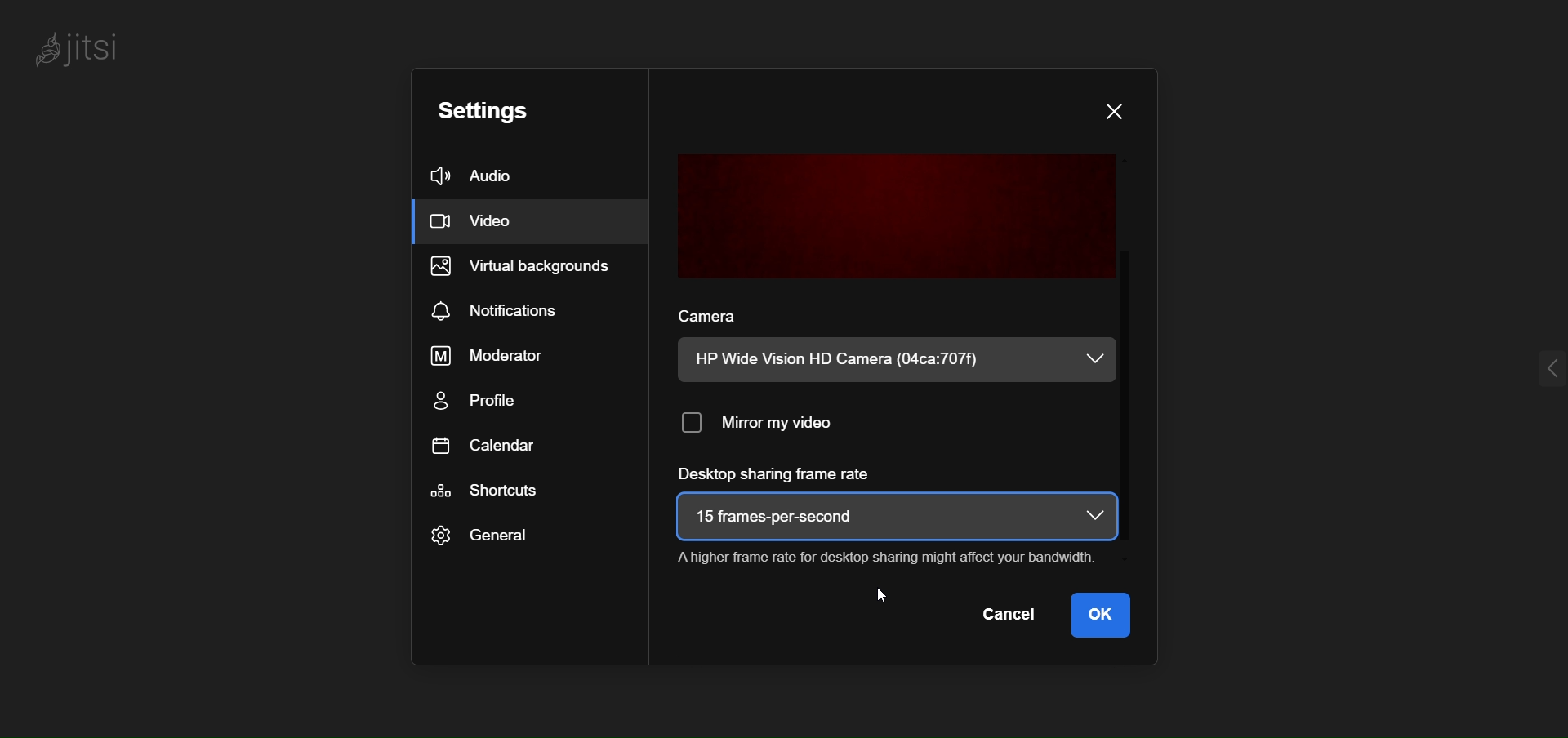 The width and height of the screenshot is (1568, 738). What do you see at coordinates (778, 473) in the screenshot?
I see `desktop sharing frame rate` at bounding box center [778, 473].